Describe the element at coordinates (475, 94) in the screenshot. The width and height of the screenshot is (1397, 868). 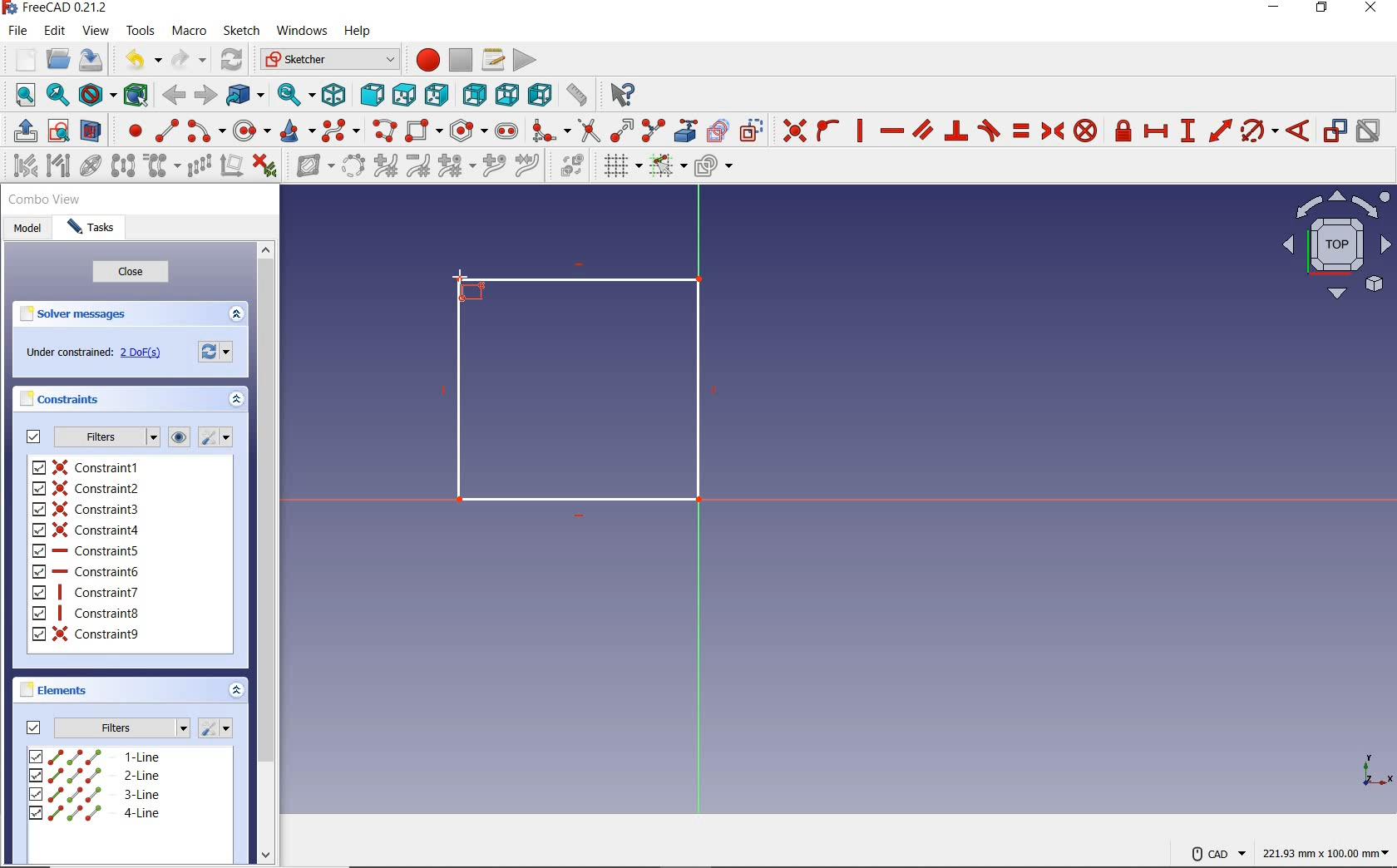
I see `rear` at that location.